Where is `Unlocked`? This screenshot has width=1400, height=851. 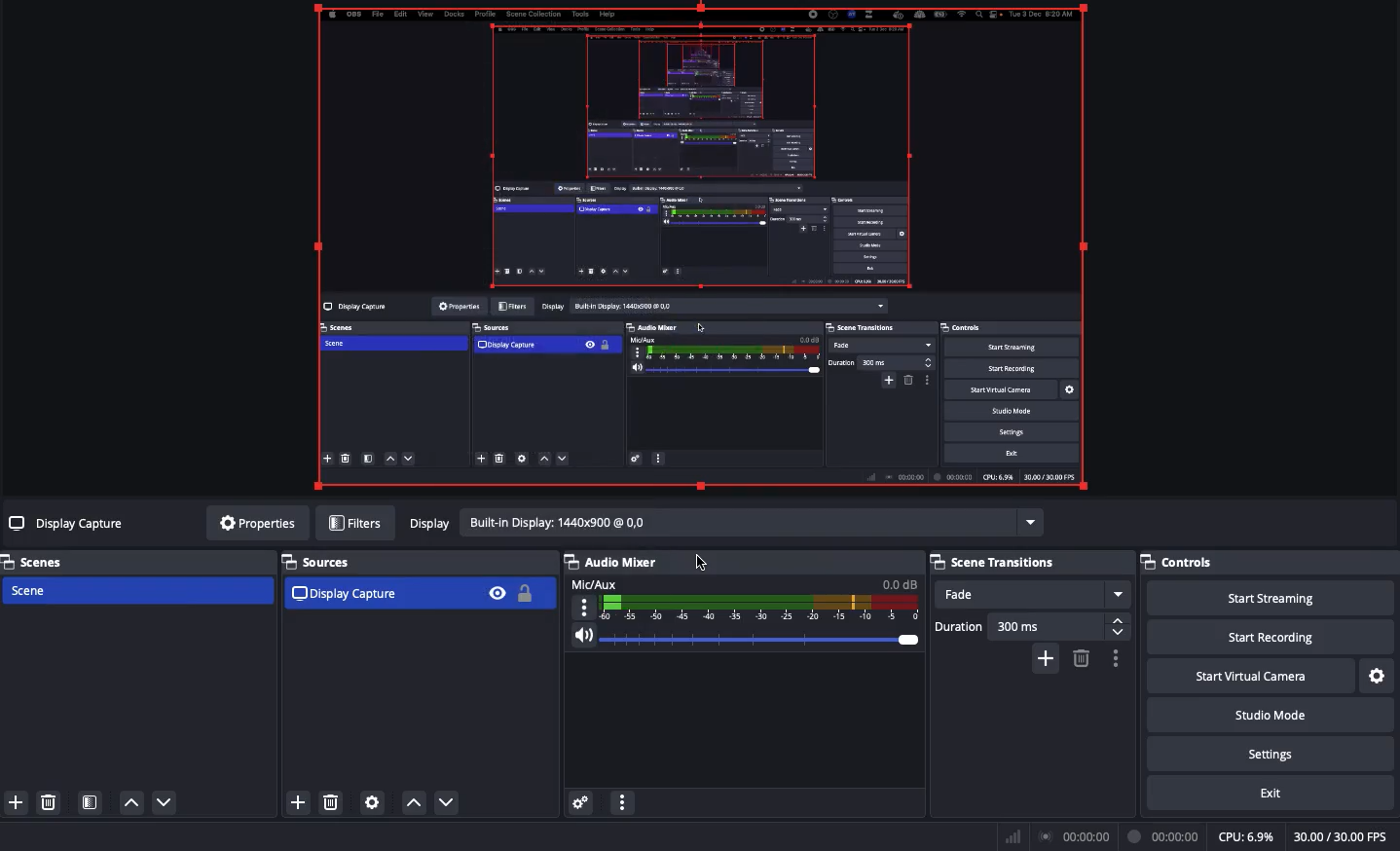
Unlocked is located at coordinates (525, 595).